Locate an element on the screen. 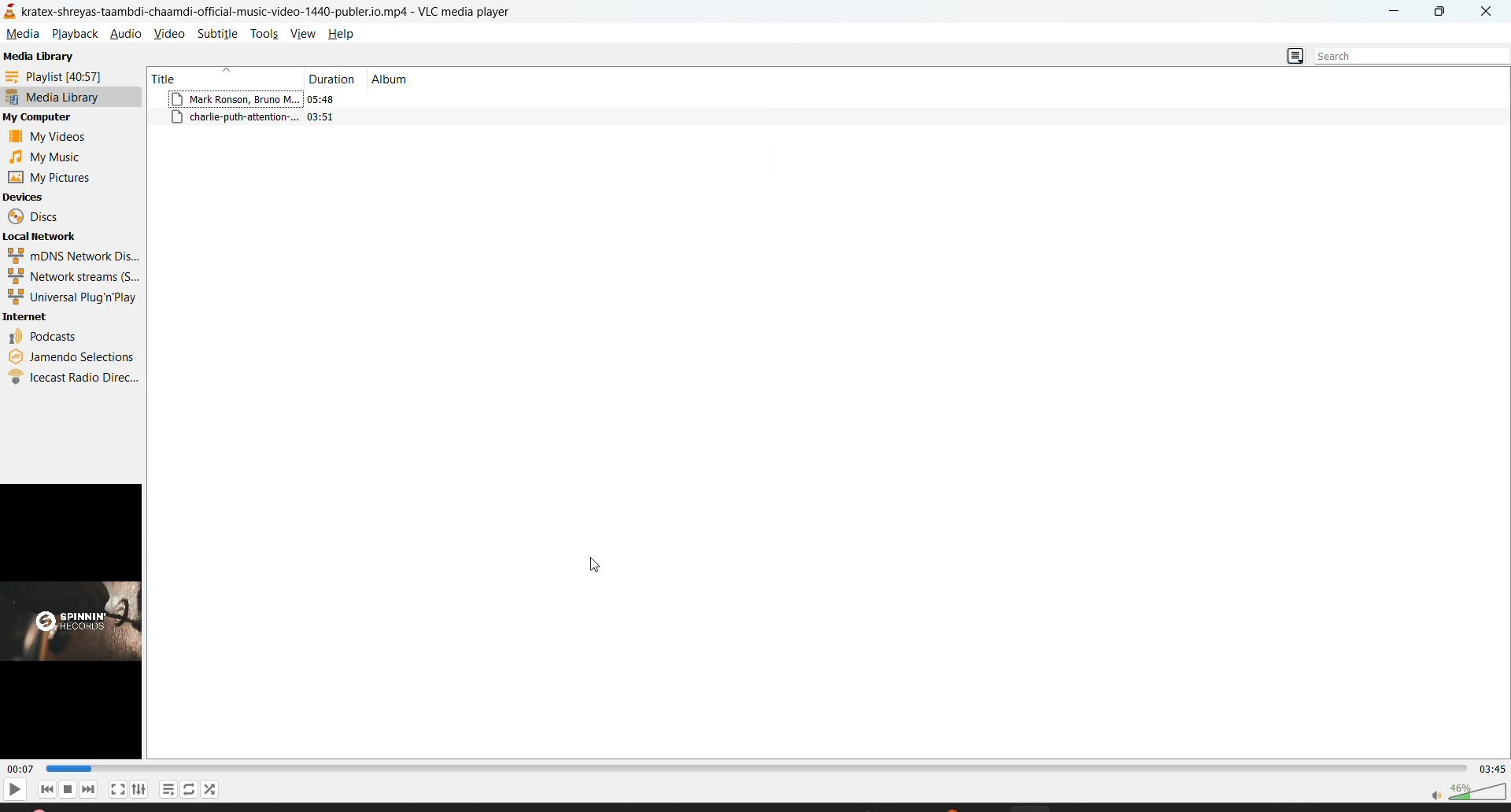 The height and width of the screenshot is (812, 1511). videos is located at coordinates (57, 138).